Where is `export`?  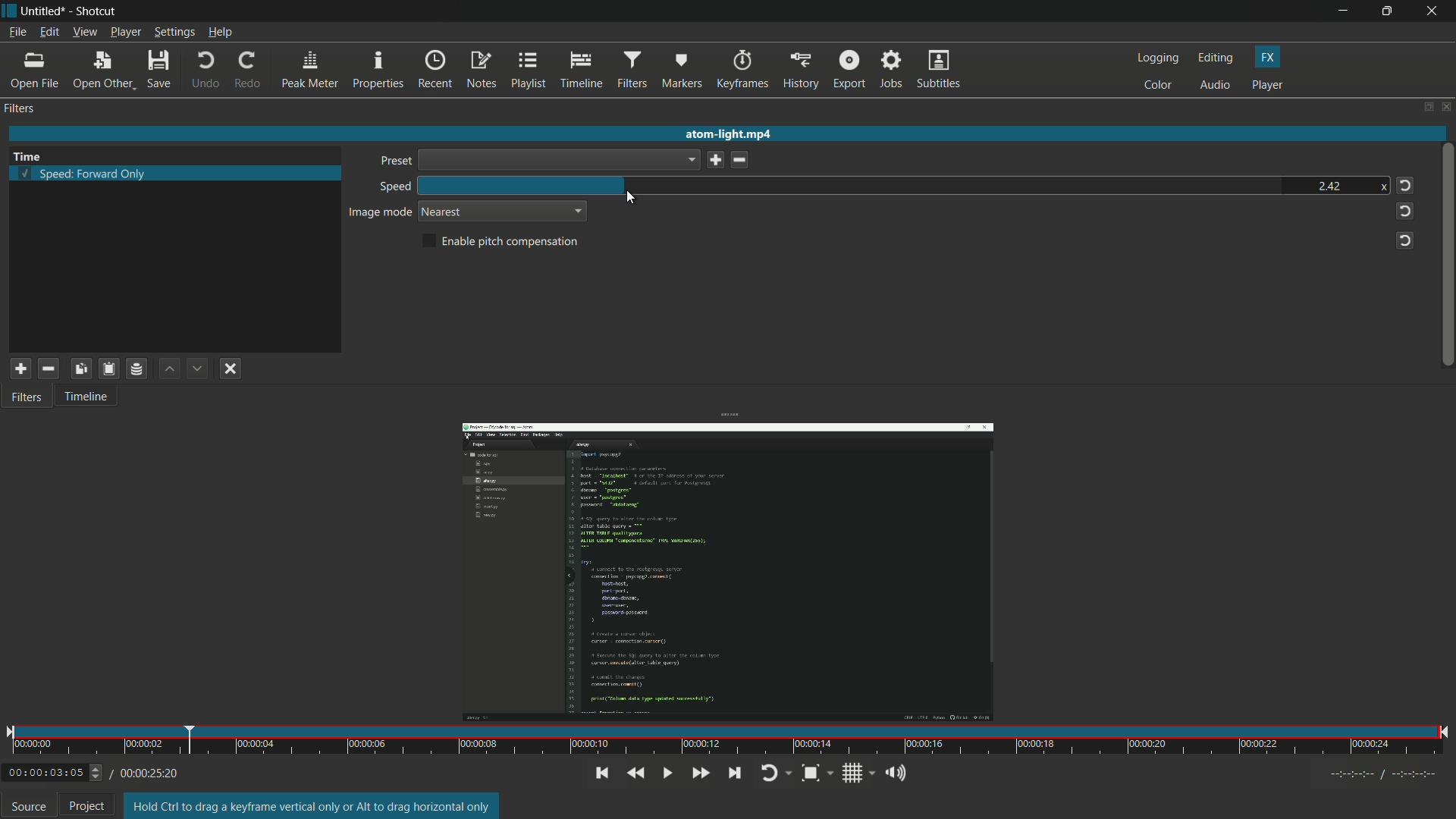
export is located at coordinates (849, 71).